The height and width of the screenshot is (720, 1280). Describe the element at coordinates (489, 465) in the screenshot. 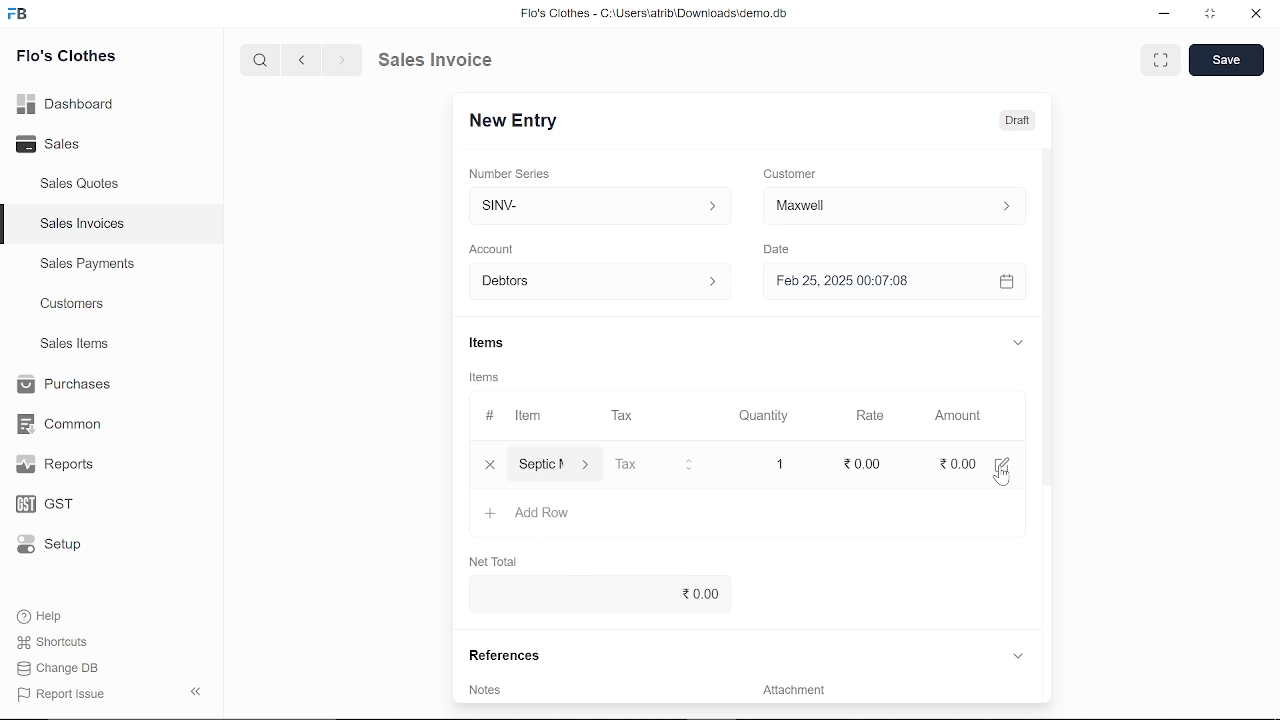

I see `close` at that location.